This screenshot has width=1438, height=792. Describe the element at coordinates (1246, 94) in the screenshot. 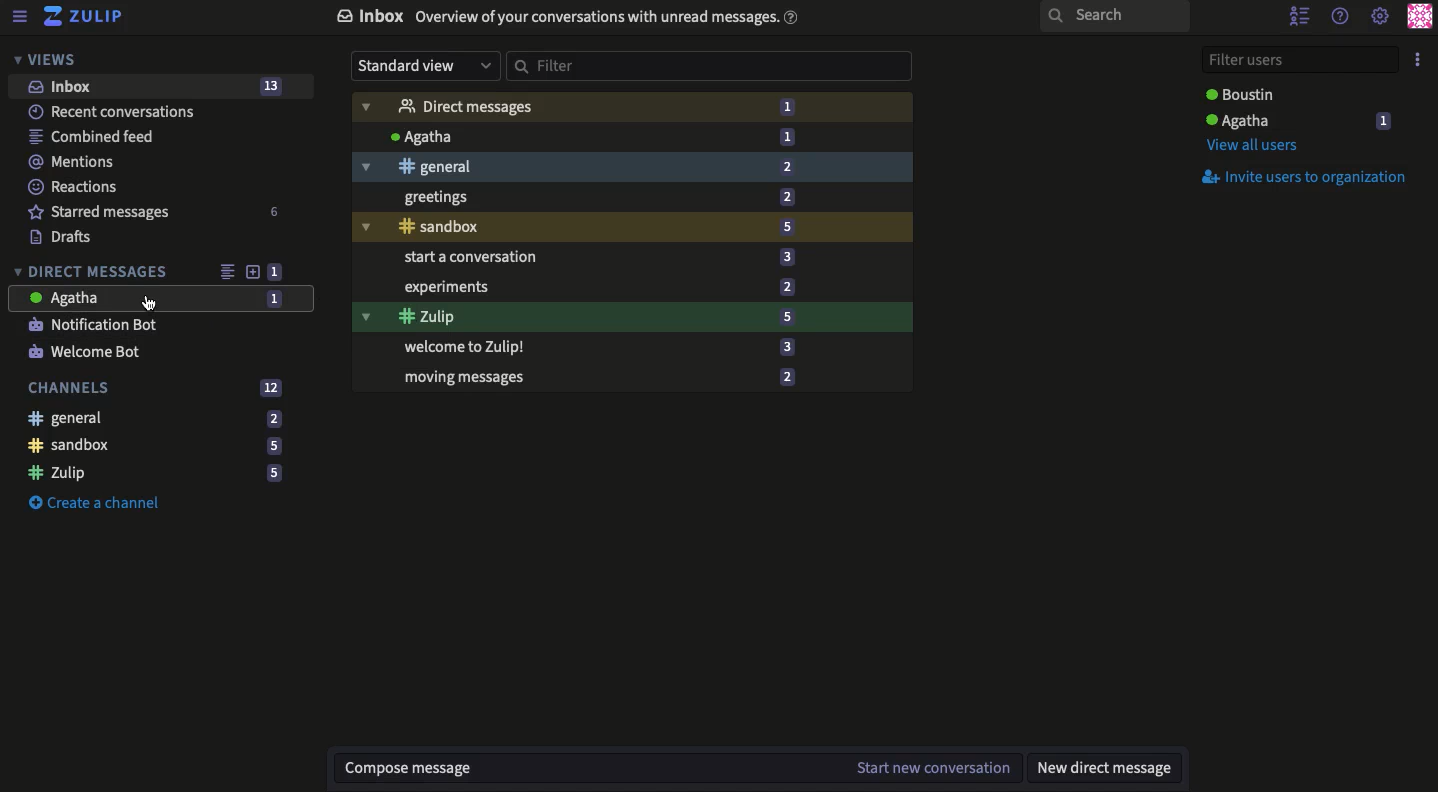

I see `User 2` at that location.